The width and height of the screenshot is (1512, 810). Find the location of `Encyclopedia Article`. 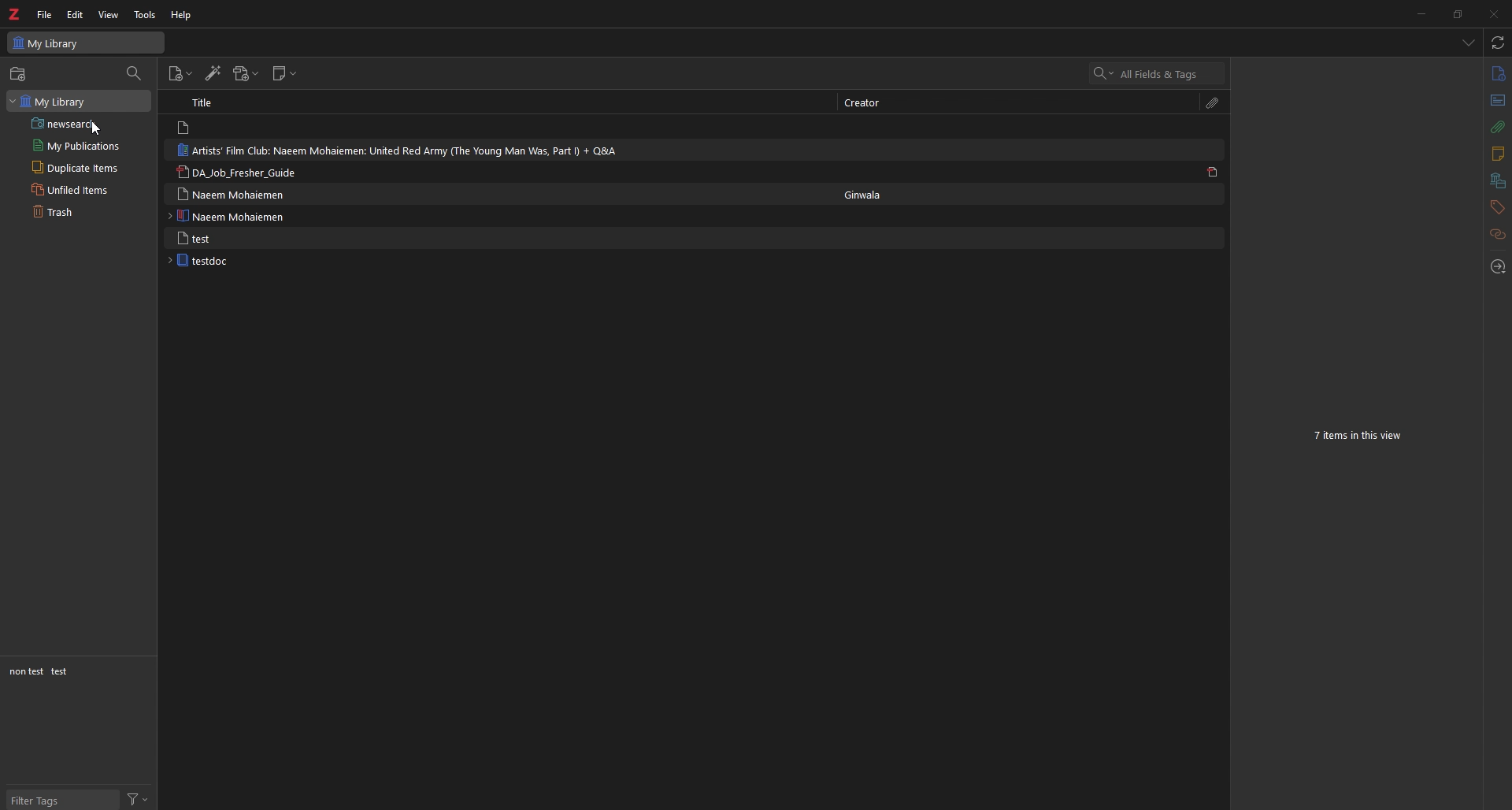

Encyclopedia Article is located at coordinates (227, 217).